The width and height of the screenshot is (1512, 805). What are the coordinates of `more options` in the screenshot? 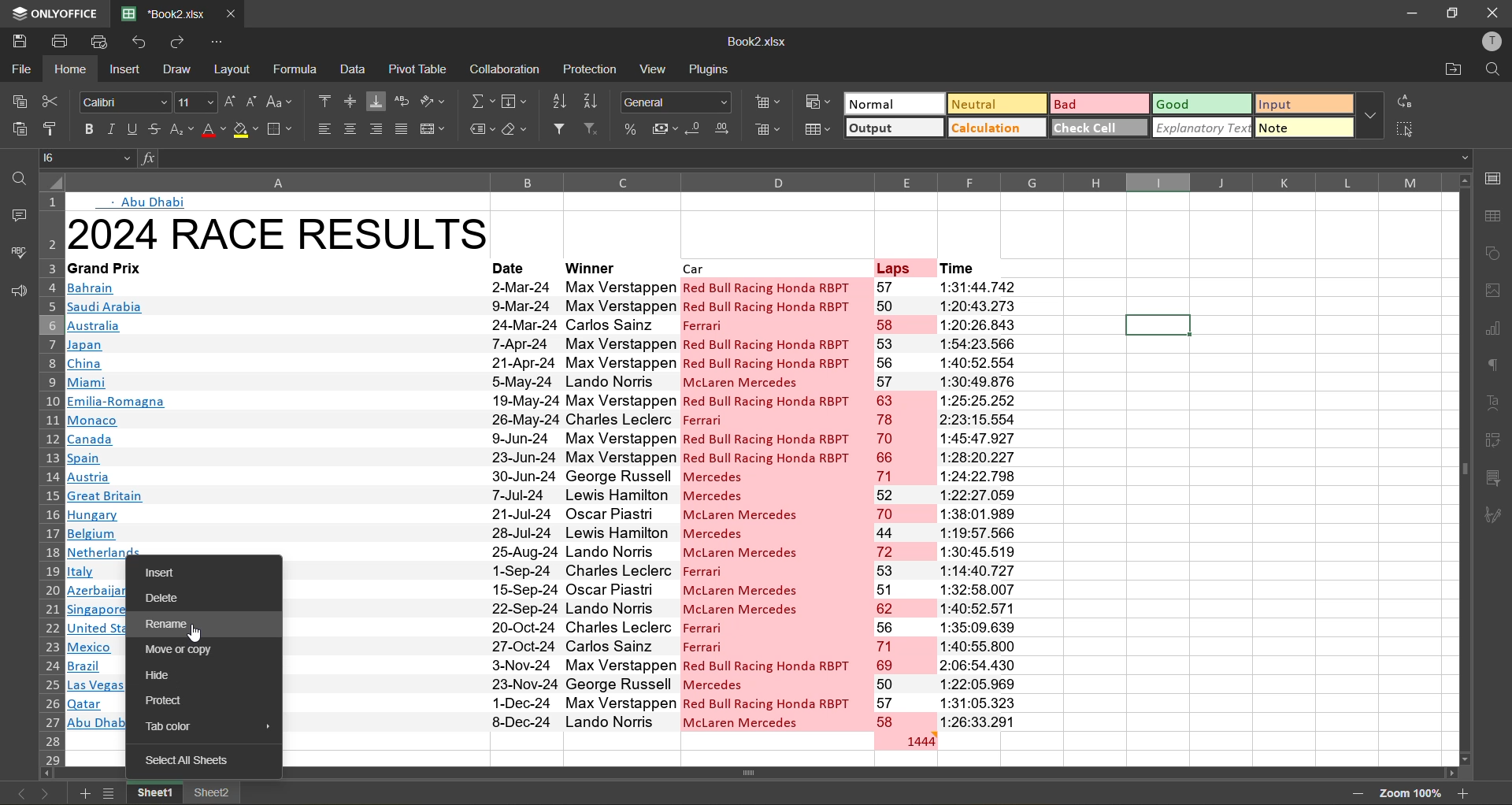 It's located at (1371, 113).